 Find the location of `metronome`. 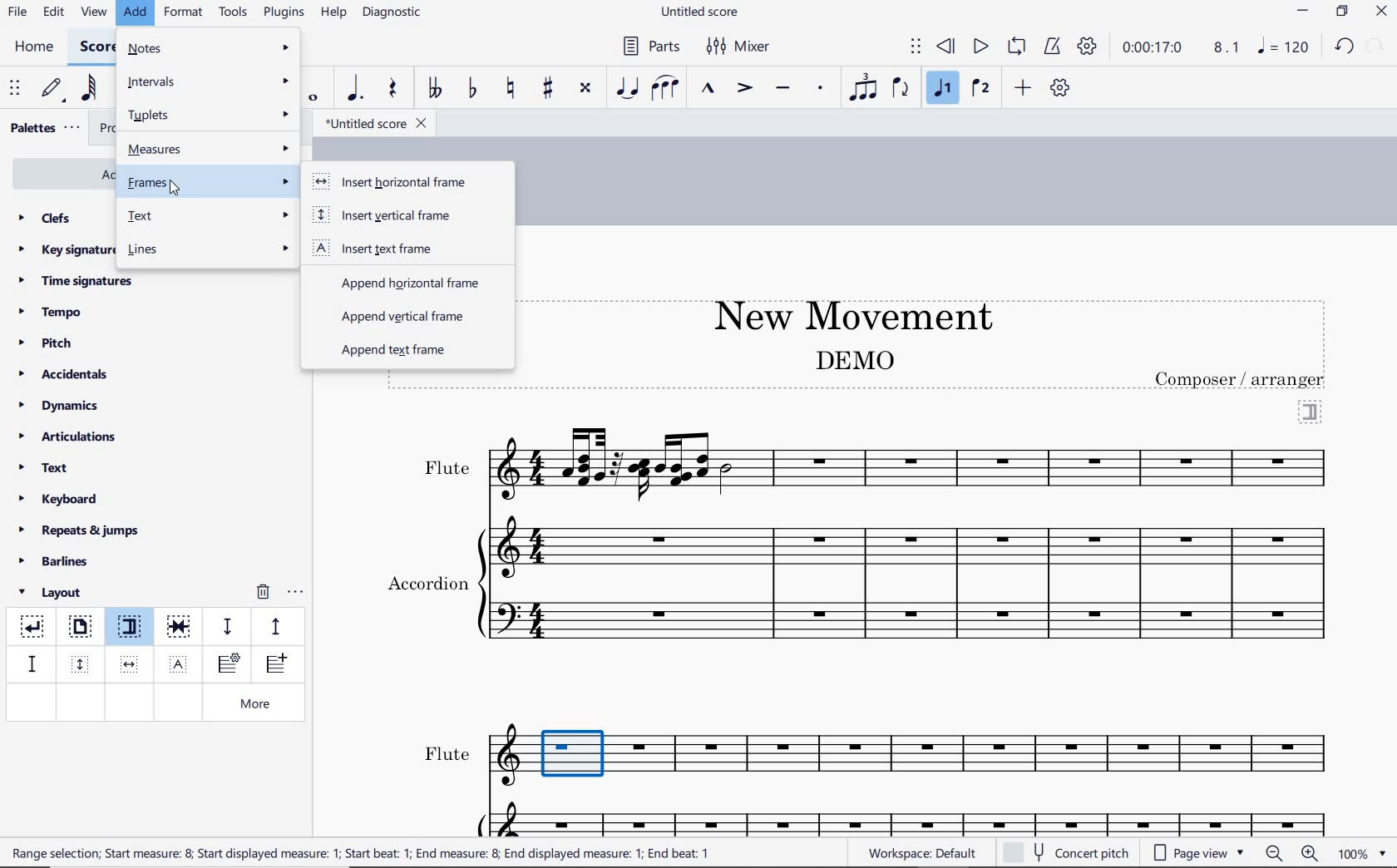

metronome is located at coordinates (1051, 47).